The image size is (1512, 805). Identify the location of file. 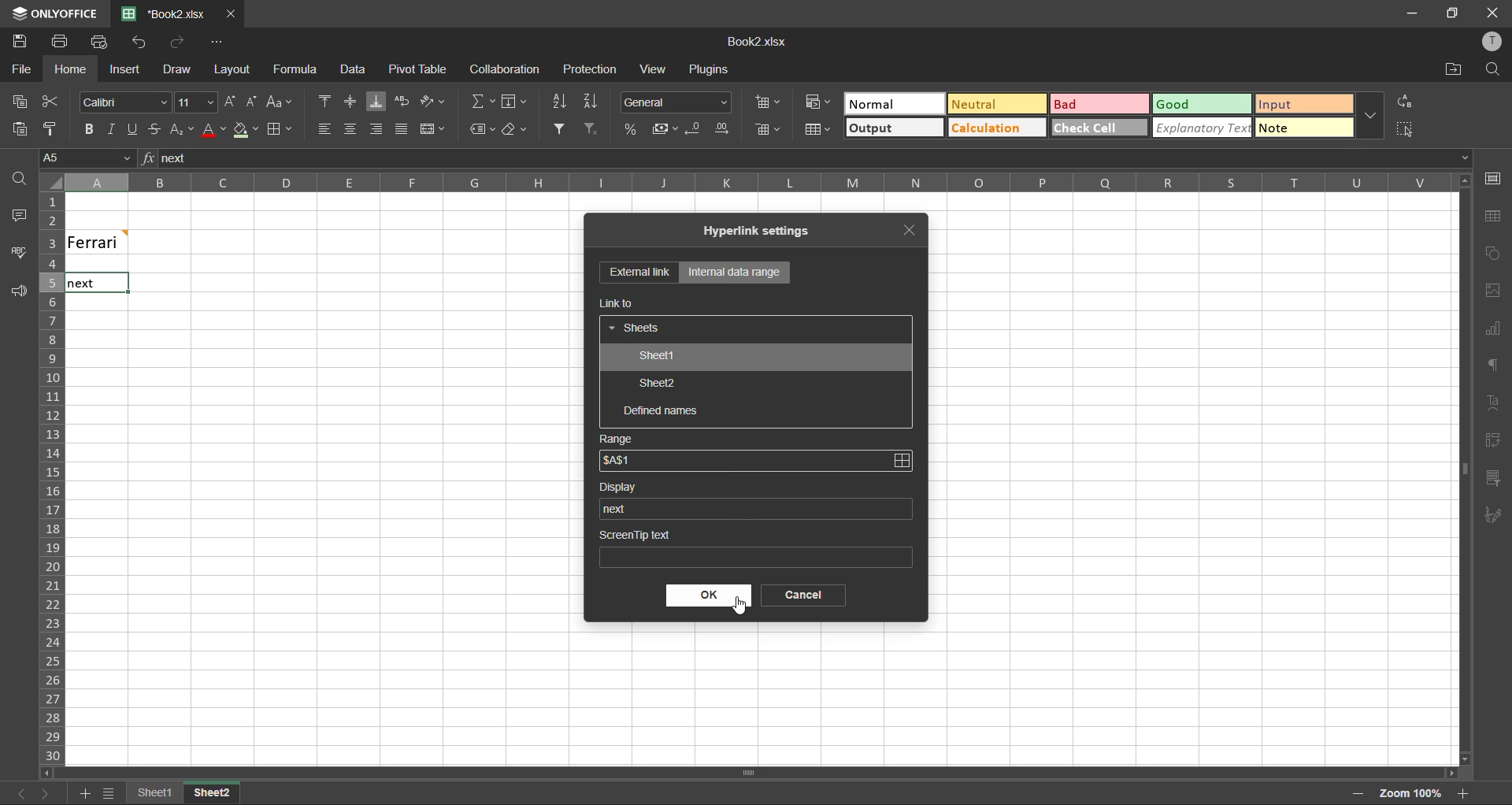
(20, 70).